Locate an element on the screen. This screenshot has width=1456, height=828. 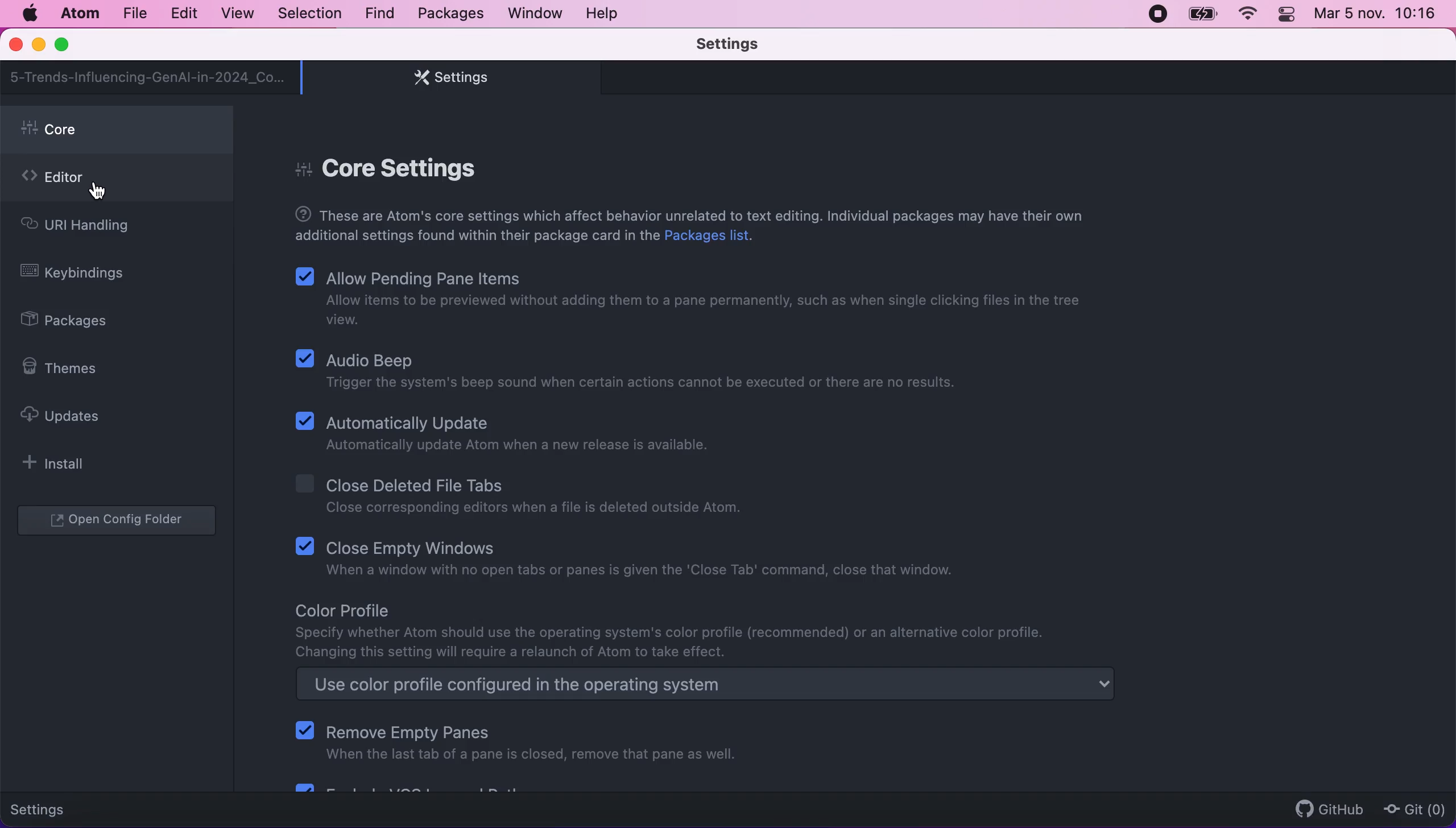
automatically update is located at coordinates (508, 434).